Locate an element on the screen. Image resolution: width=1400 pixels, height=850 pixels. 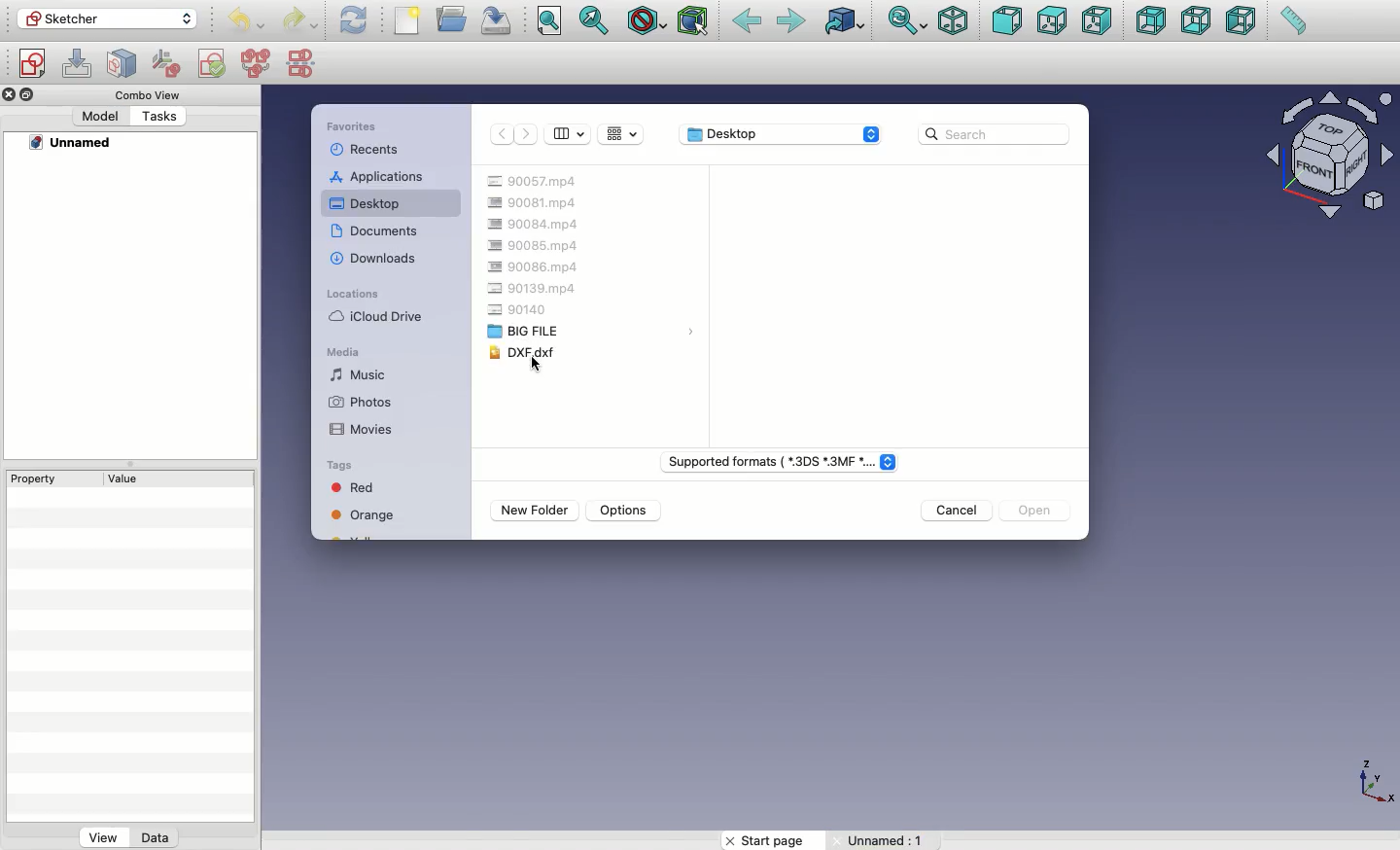
Search is located at coordinates (999, 132).